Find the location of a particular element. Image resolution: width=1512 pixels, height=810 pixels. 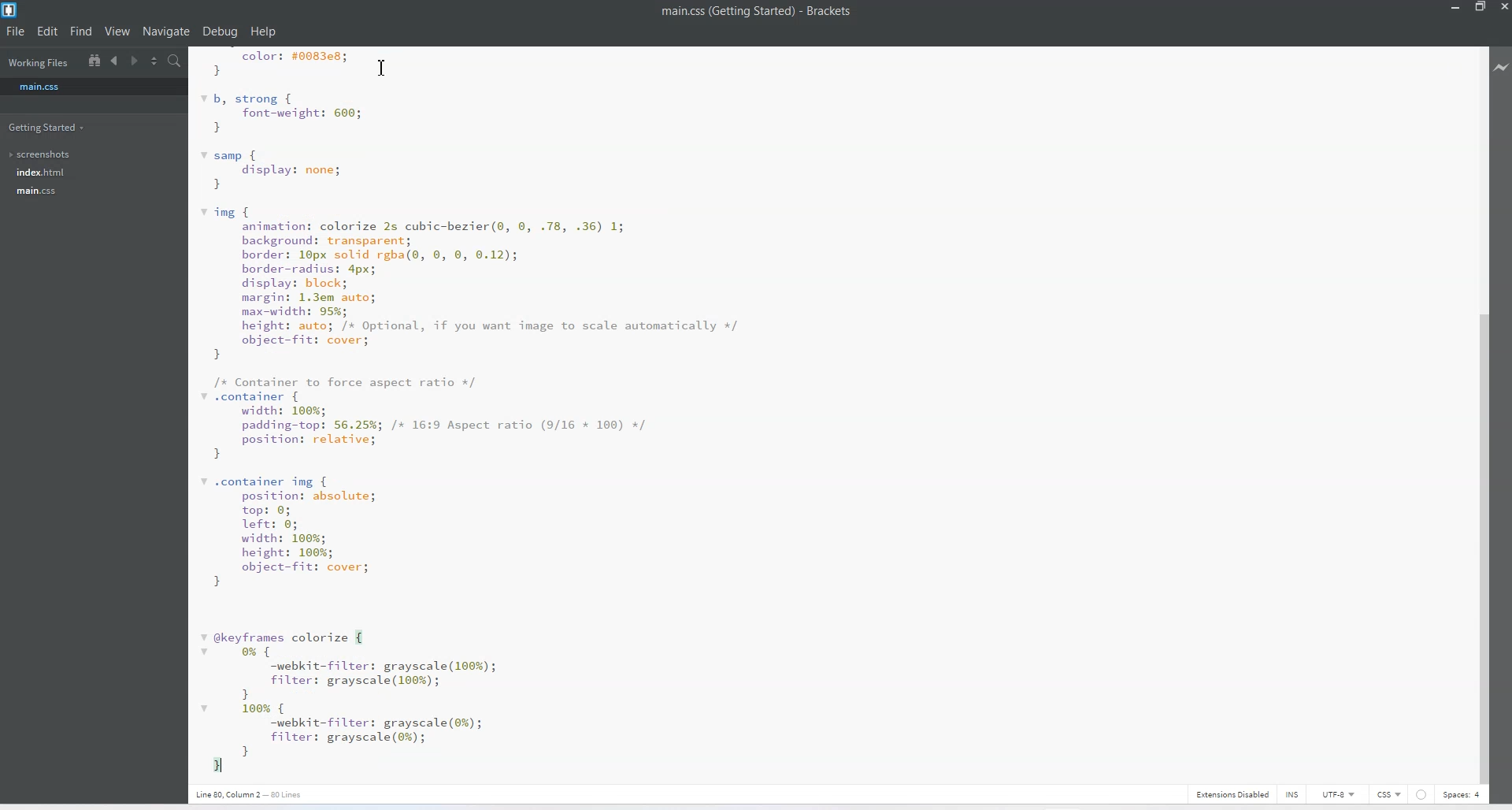

Show in the file tree is located at coordinates (95, 60).